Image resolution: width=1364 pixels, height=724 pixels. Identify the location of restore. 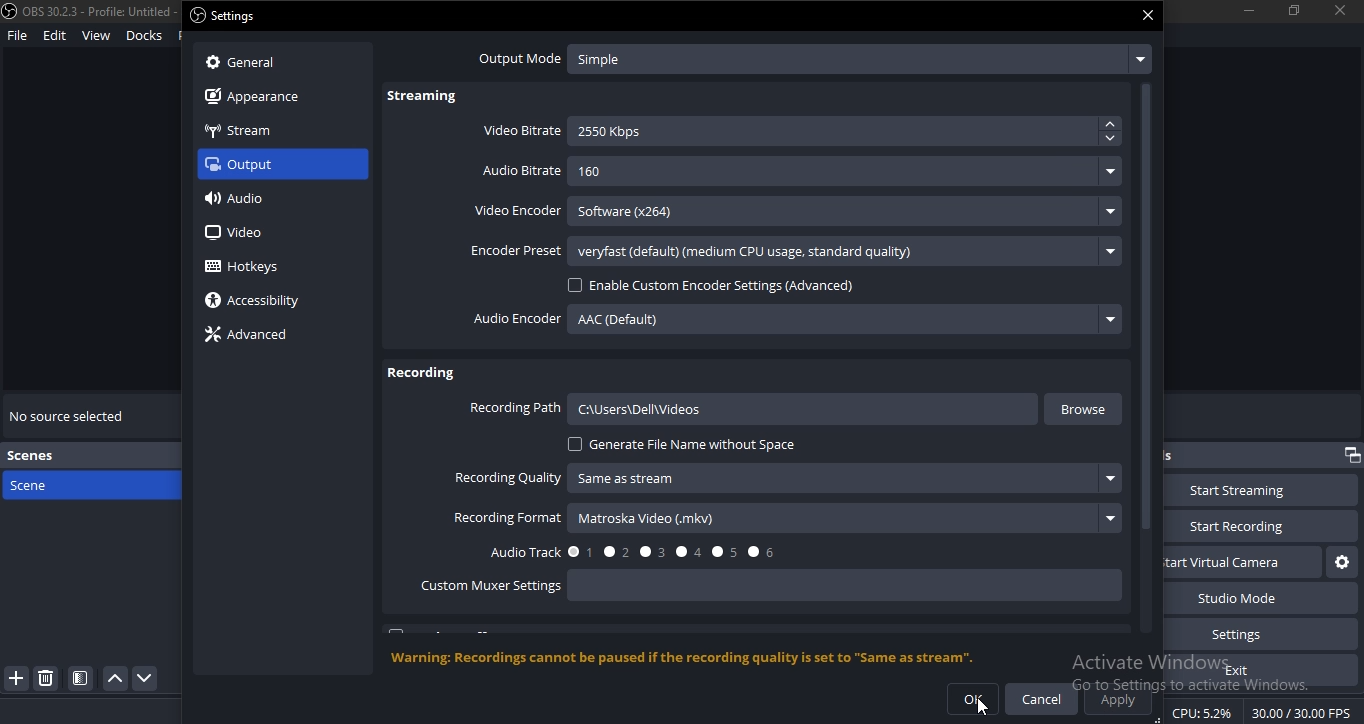
(1294, 9).